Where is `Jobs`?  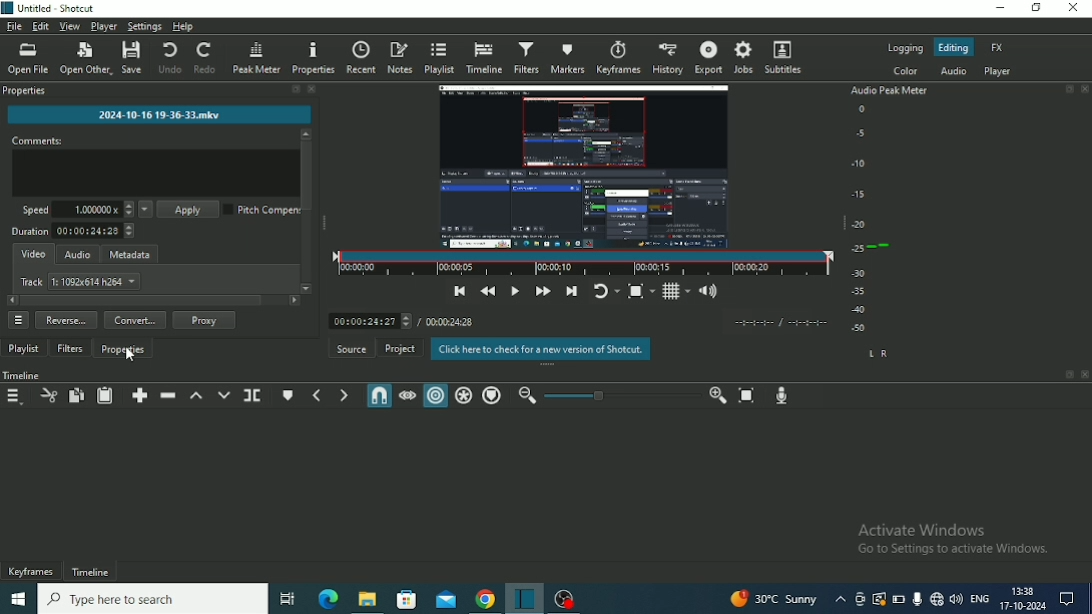
Jobs is located at coordinates (744, 57).